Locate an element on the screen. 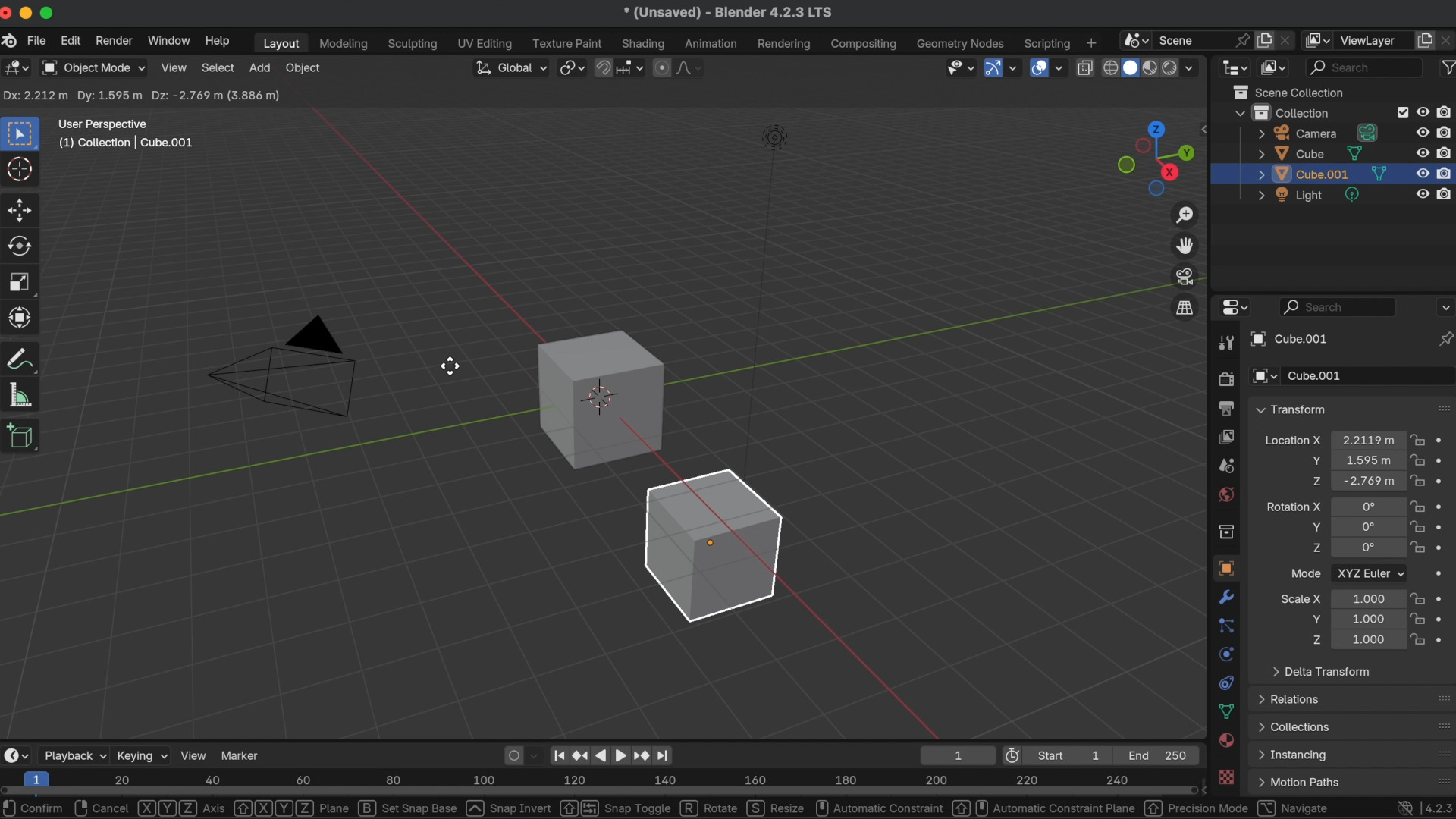  disable in render is located at coordinates (1446, 172).